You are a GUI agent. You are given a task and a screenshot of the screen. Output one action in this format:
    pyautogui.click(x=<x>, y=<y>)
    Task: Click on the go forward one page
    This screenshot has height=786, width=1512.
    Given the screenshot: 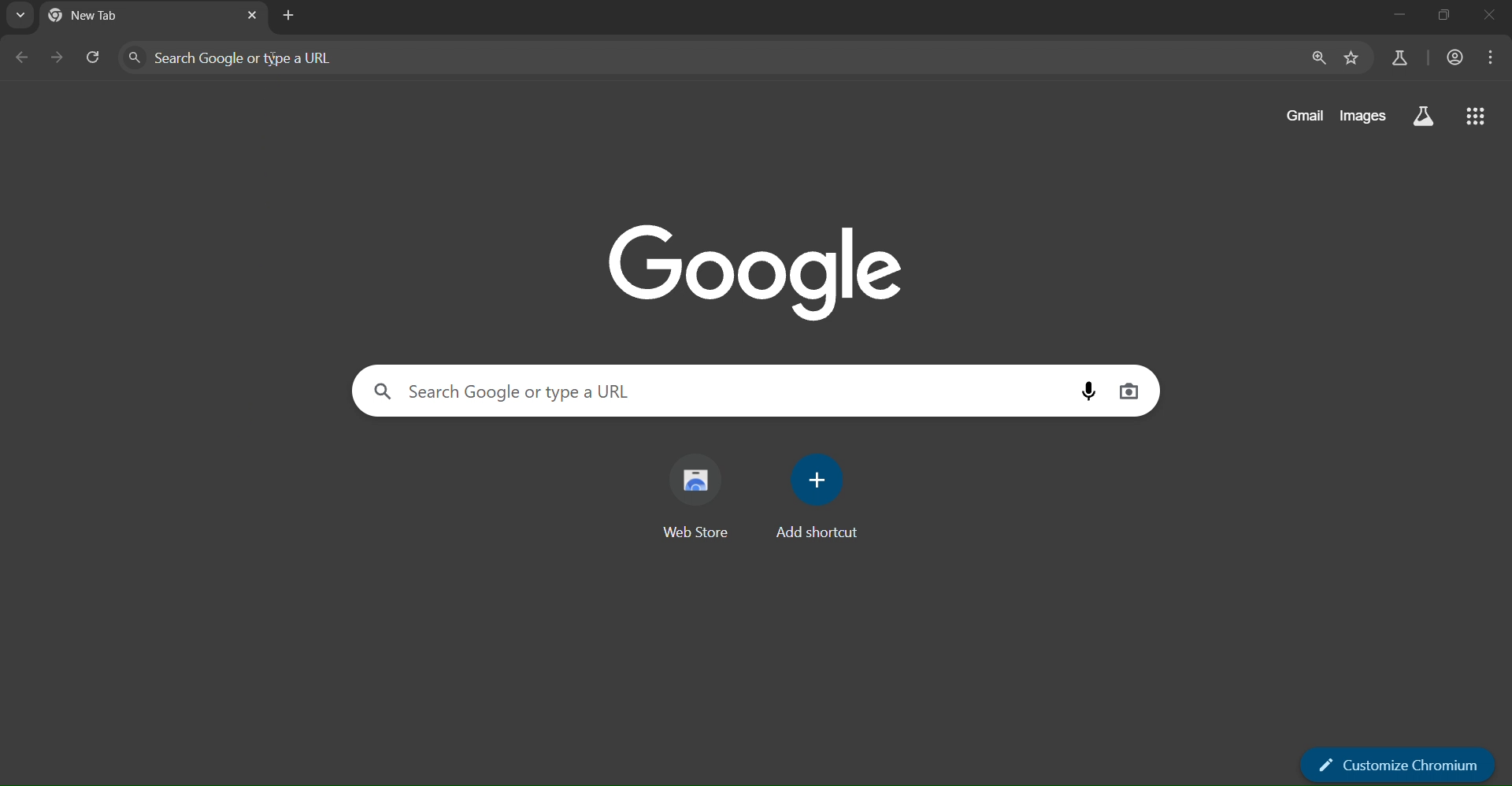 What is the action you would take?
    pyautogui.click(x=55, y=58)
    